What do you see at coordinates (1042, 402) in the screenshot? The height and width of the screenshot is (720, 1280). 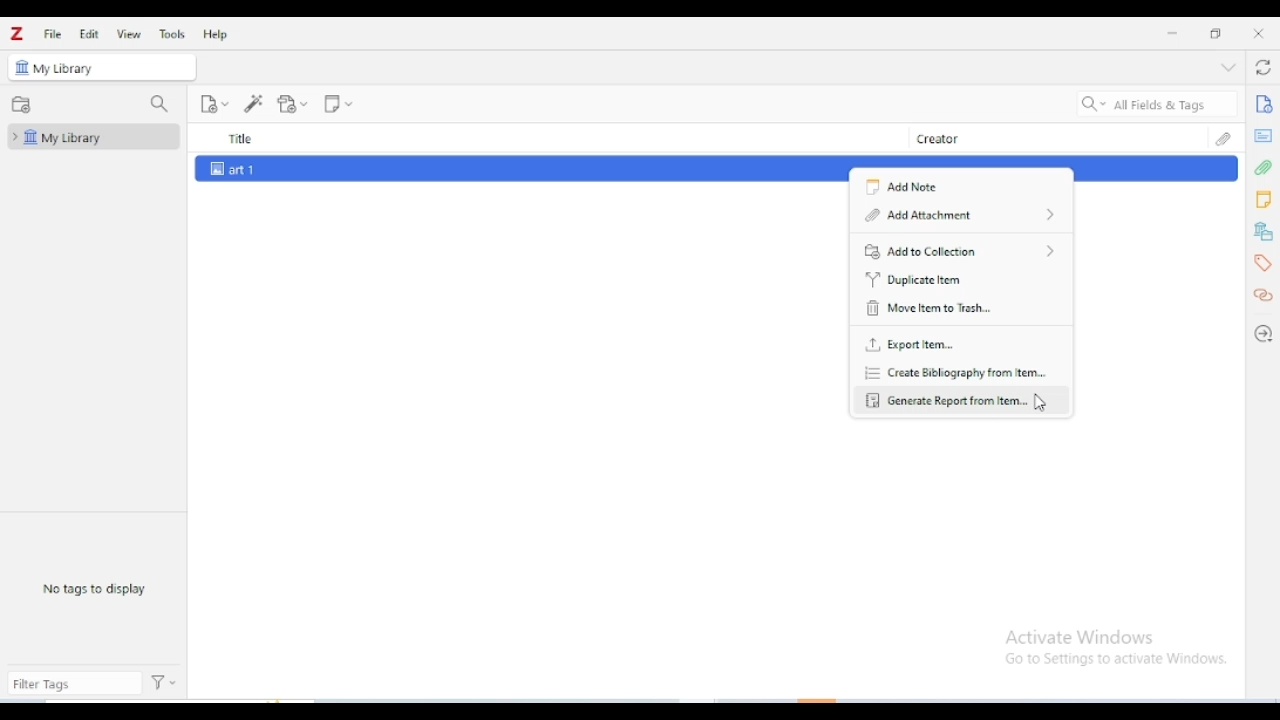 I see `cursor` at bounding box center [1042, 402].